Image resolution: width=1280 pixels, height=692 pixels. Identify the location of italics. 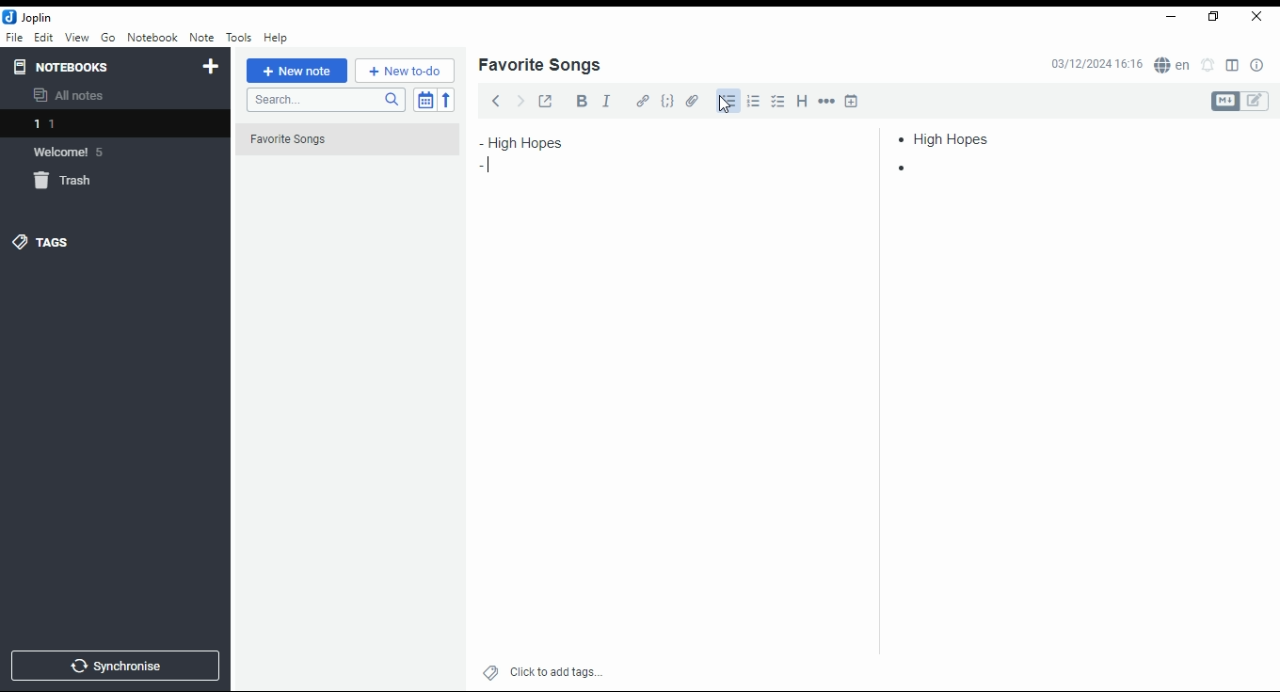
(606, 100).